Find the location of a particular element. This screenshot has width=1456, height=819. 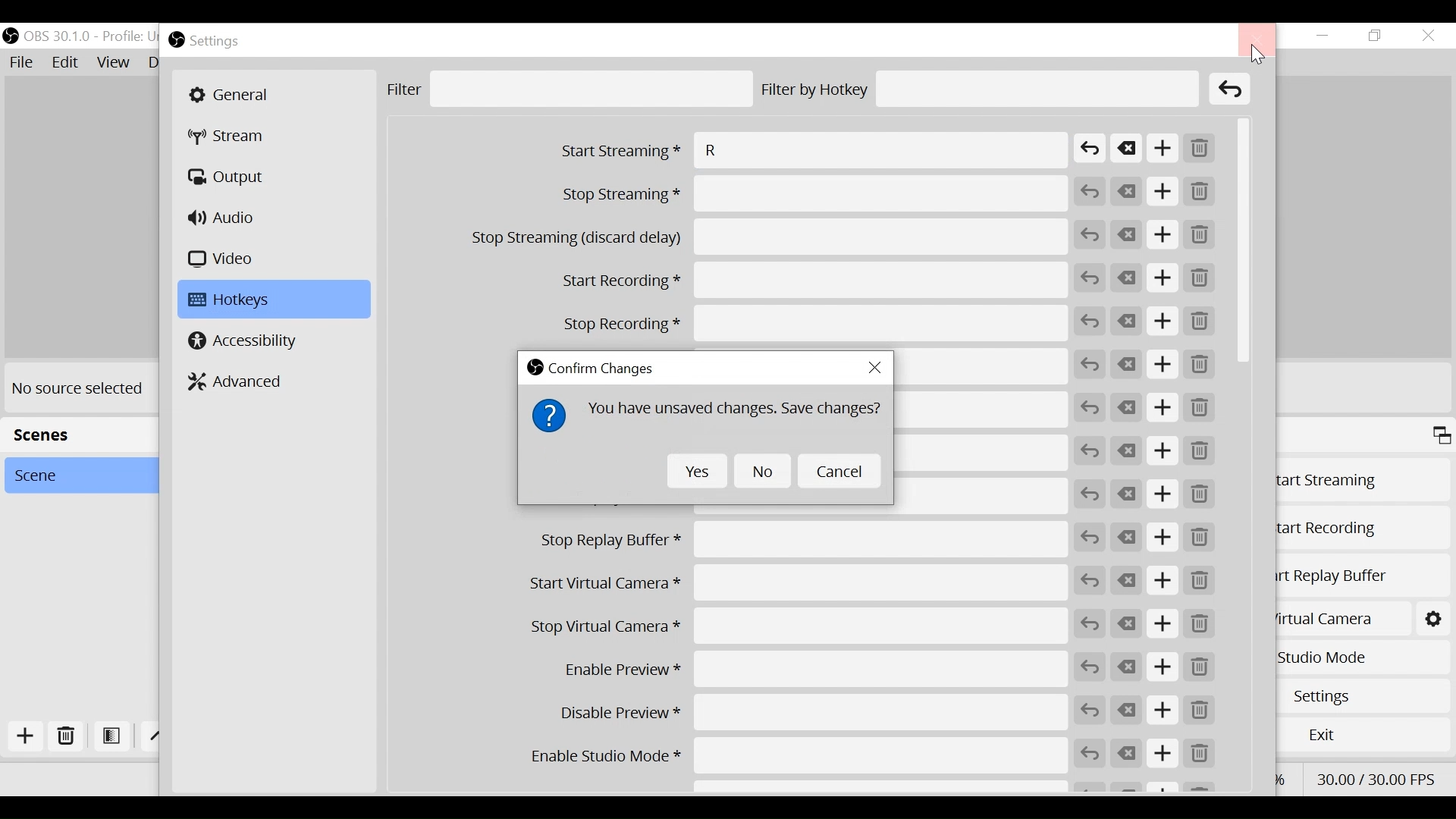

Remove is located at coordinates (1200, 755).